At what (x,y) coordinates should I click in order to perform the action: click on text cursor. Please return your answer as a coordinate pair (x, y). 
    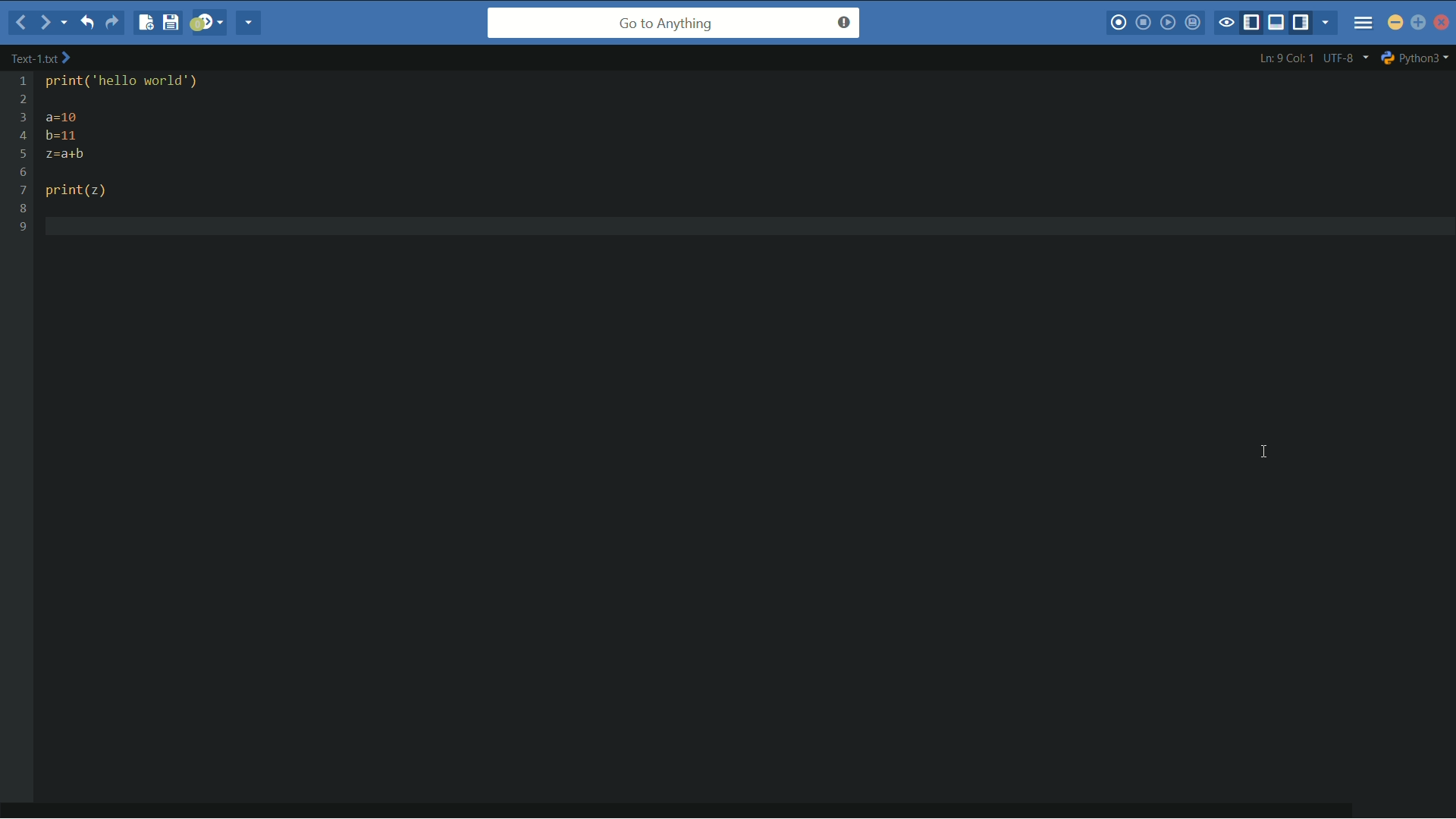
    Looking at the image, I should click on (1263, 452).